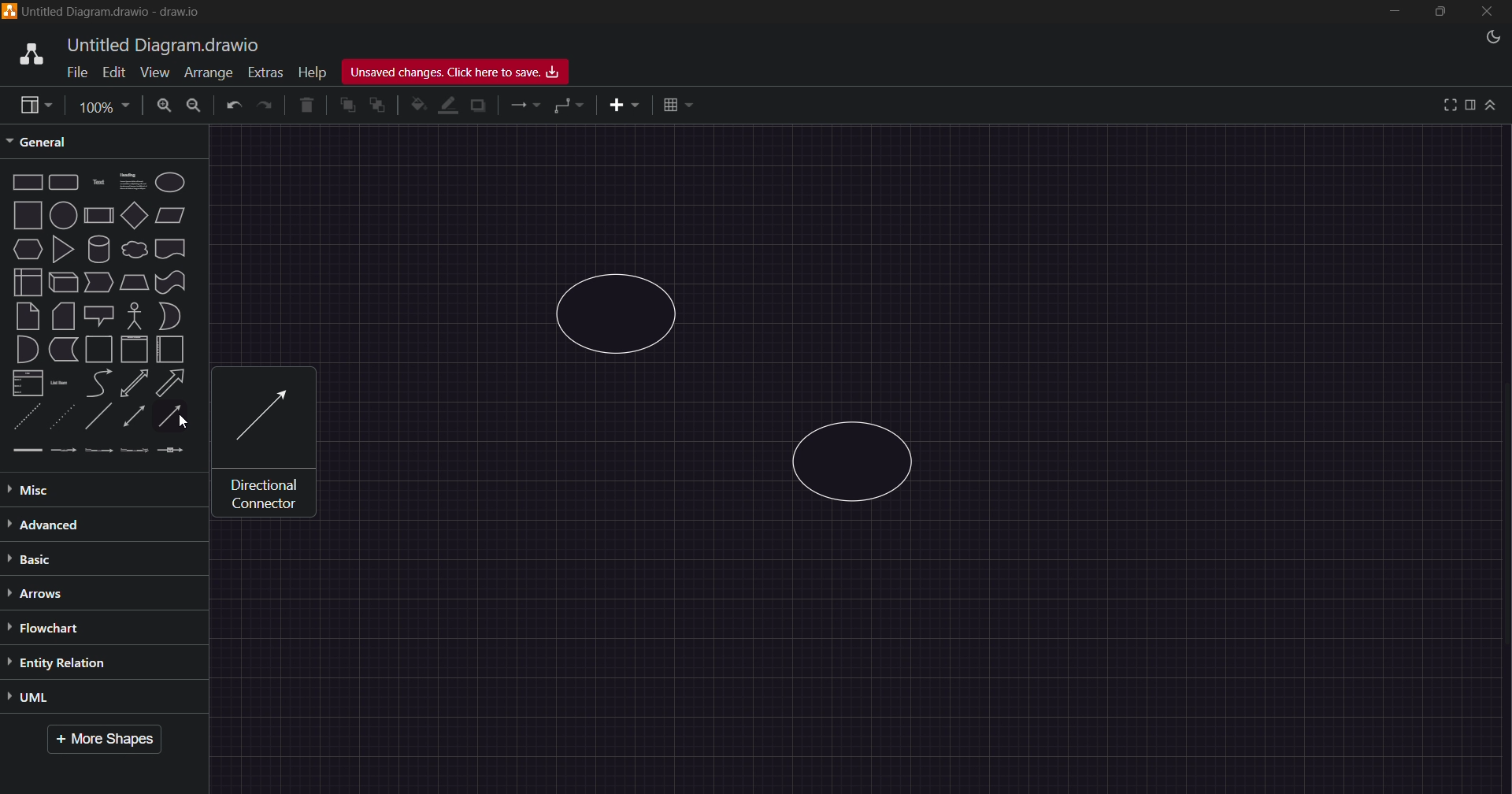  What do you see at coordinates (183, 420) in the screenshot?
I see `cursor` at bounding box center [183, 420].